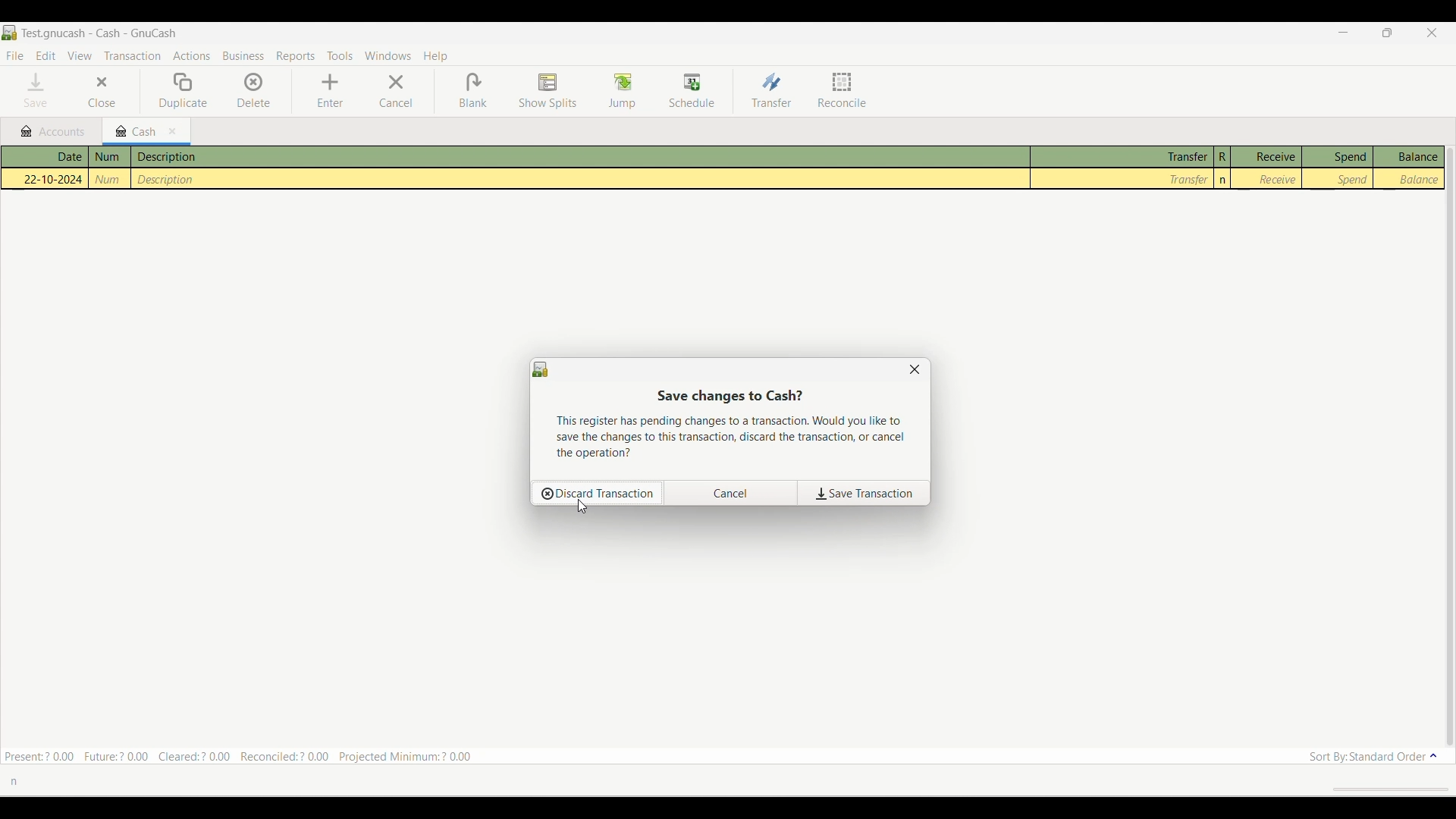 This screenshot has width=1456, height=819. What do you see at coordinates (35, 90) in the screenshot?
I see `Save` at bounding box center [35, 90].